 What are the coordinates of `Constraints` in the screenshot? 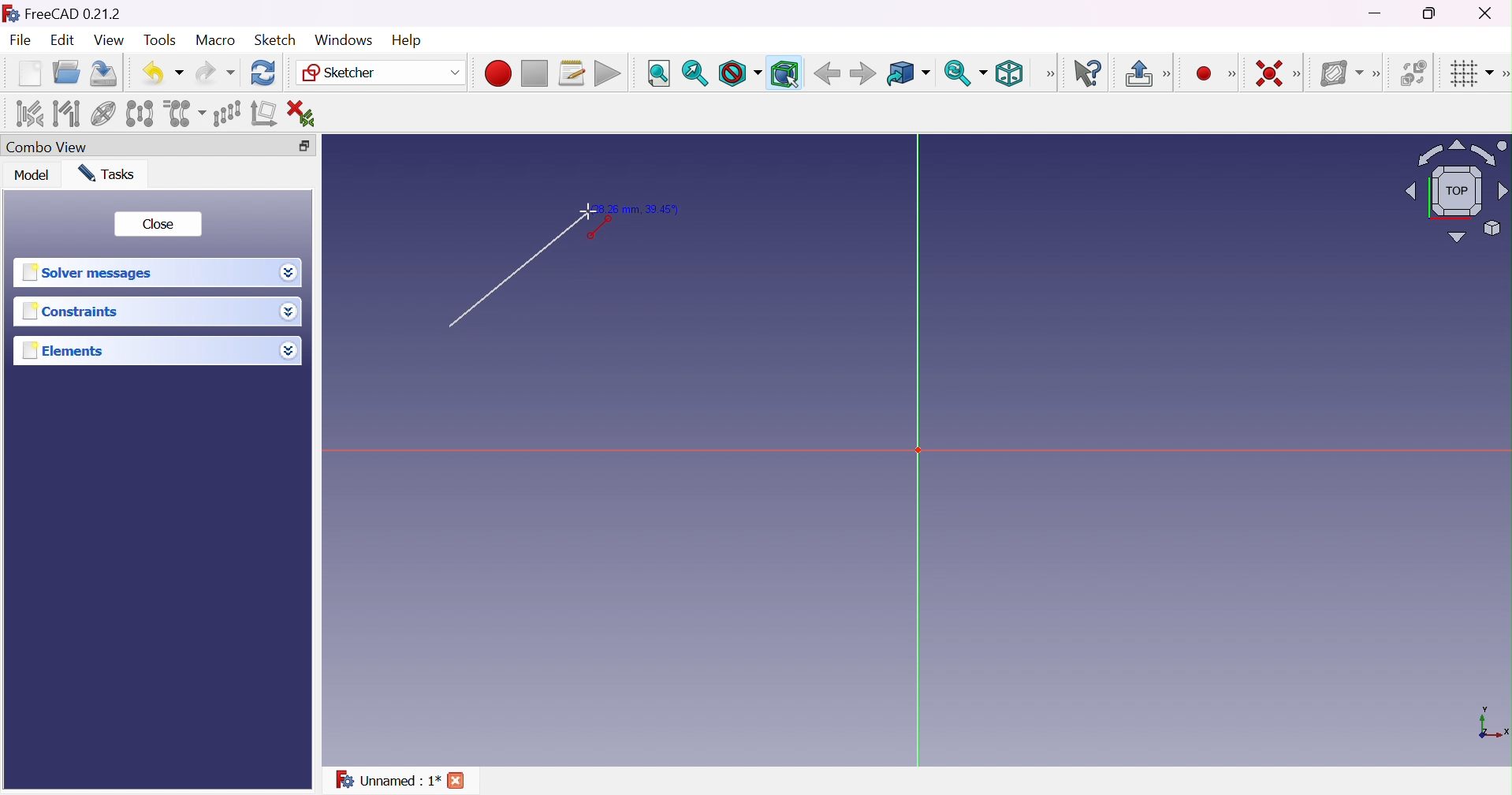 It's located at (70, 313).